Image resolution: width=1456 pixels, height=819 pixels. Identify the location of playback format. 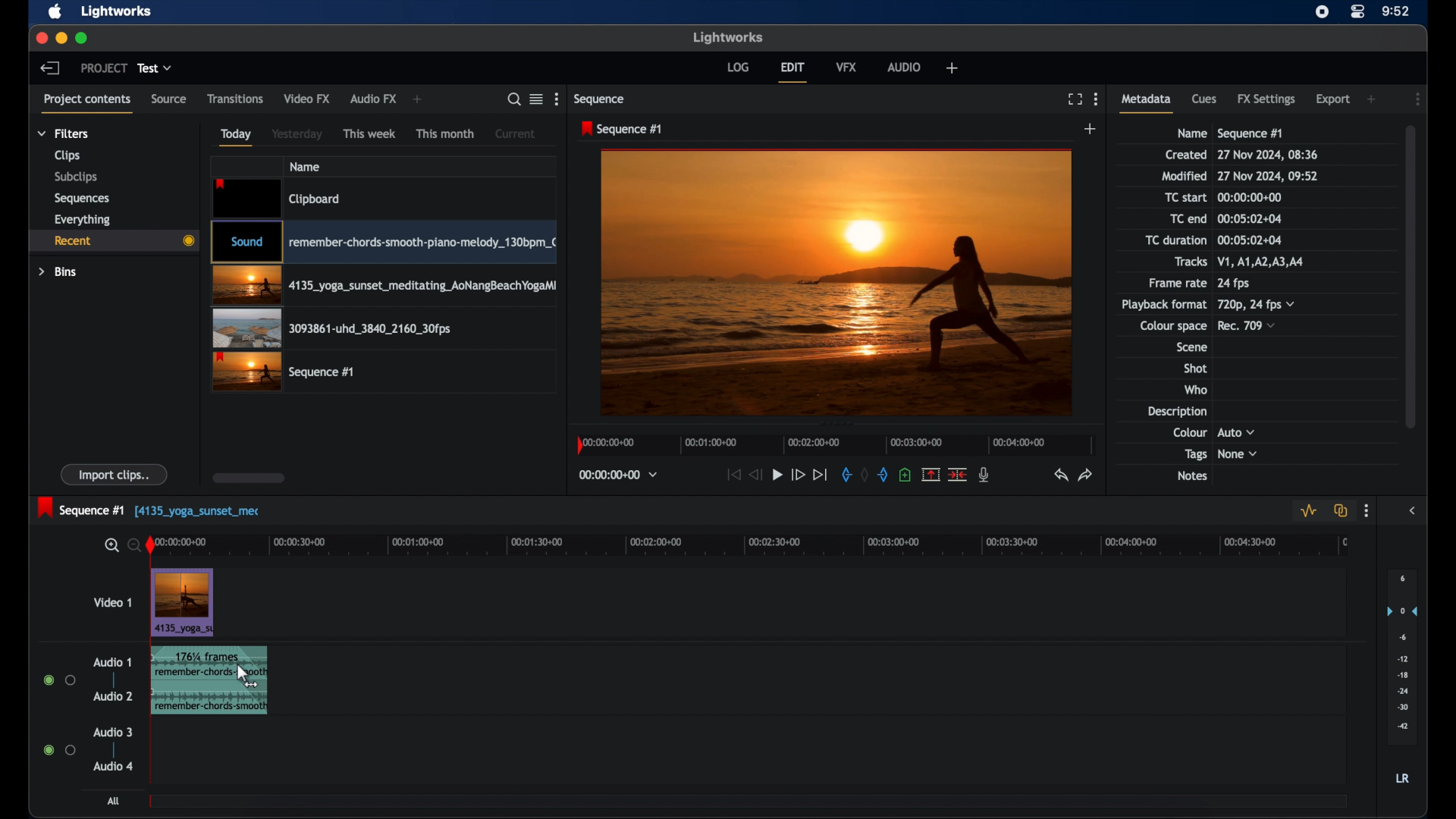
(1163, 304).